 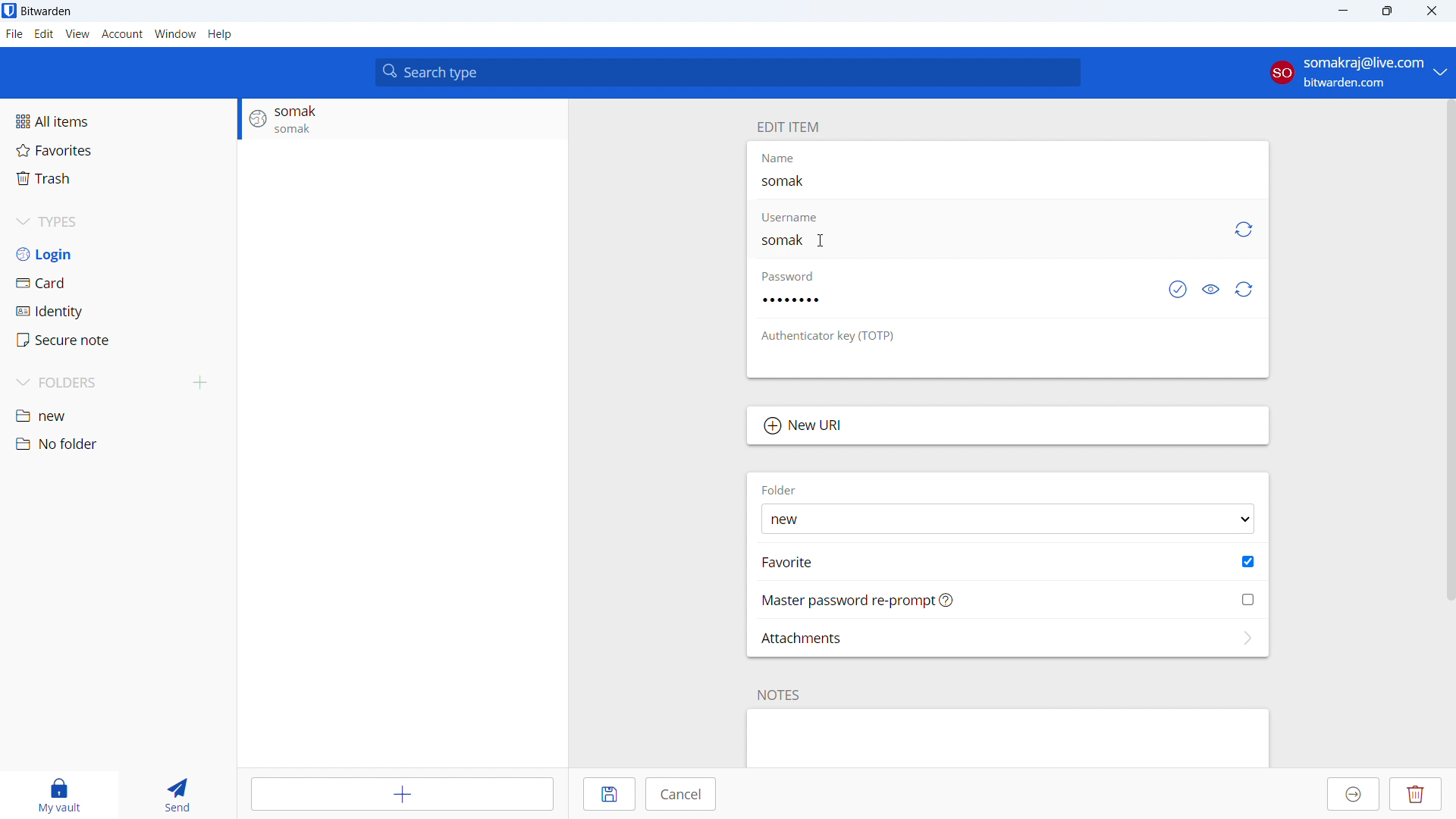 I want to click on folders, so click(x=94, y=383).